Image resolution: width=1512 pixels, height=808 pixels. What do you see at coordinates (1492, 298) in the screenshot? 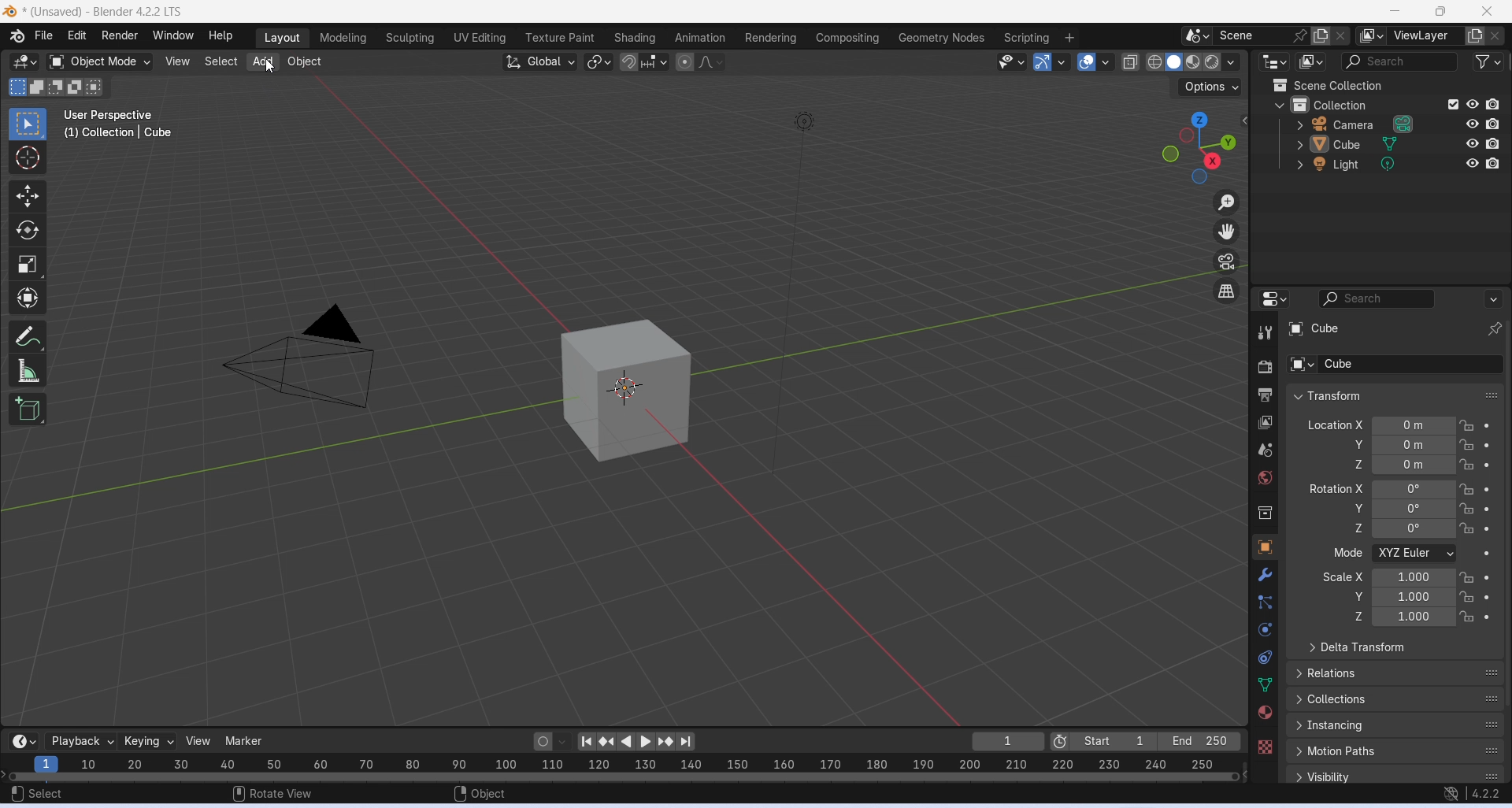
I see `options` at bounding box center [1492, 298].